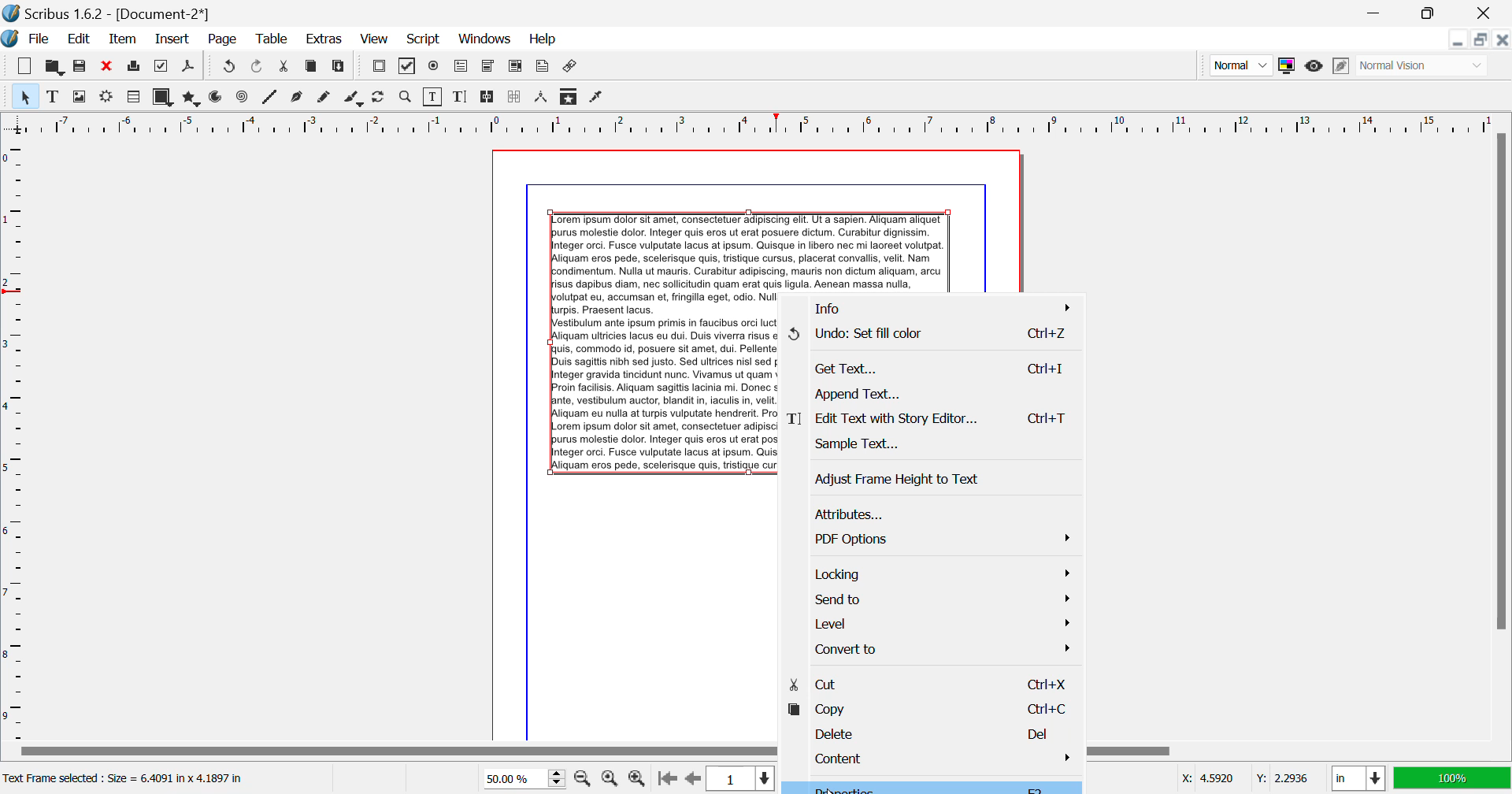 The image size is (1512, 794). Describe the element at coordinates (516, 97) in the screenshot. I see `Delink Frames` at that location.